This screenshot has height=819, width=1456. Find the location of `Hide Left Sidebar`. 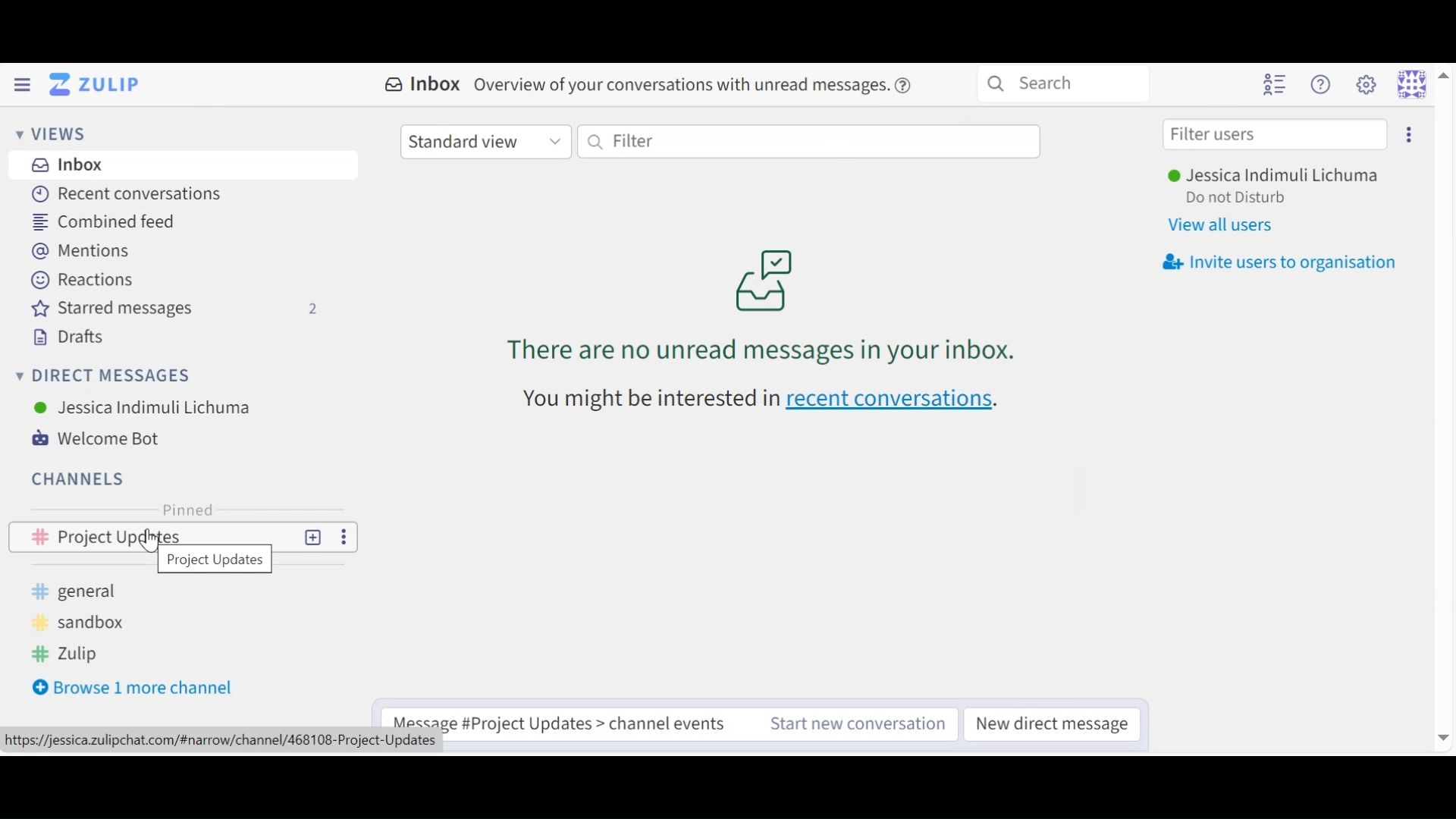

Hide Left Sidebar is located at coordinates (22, 86).